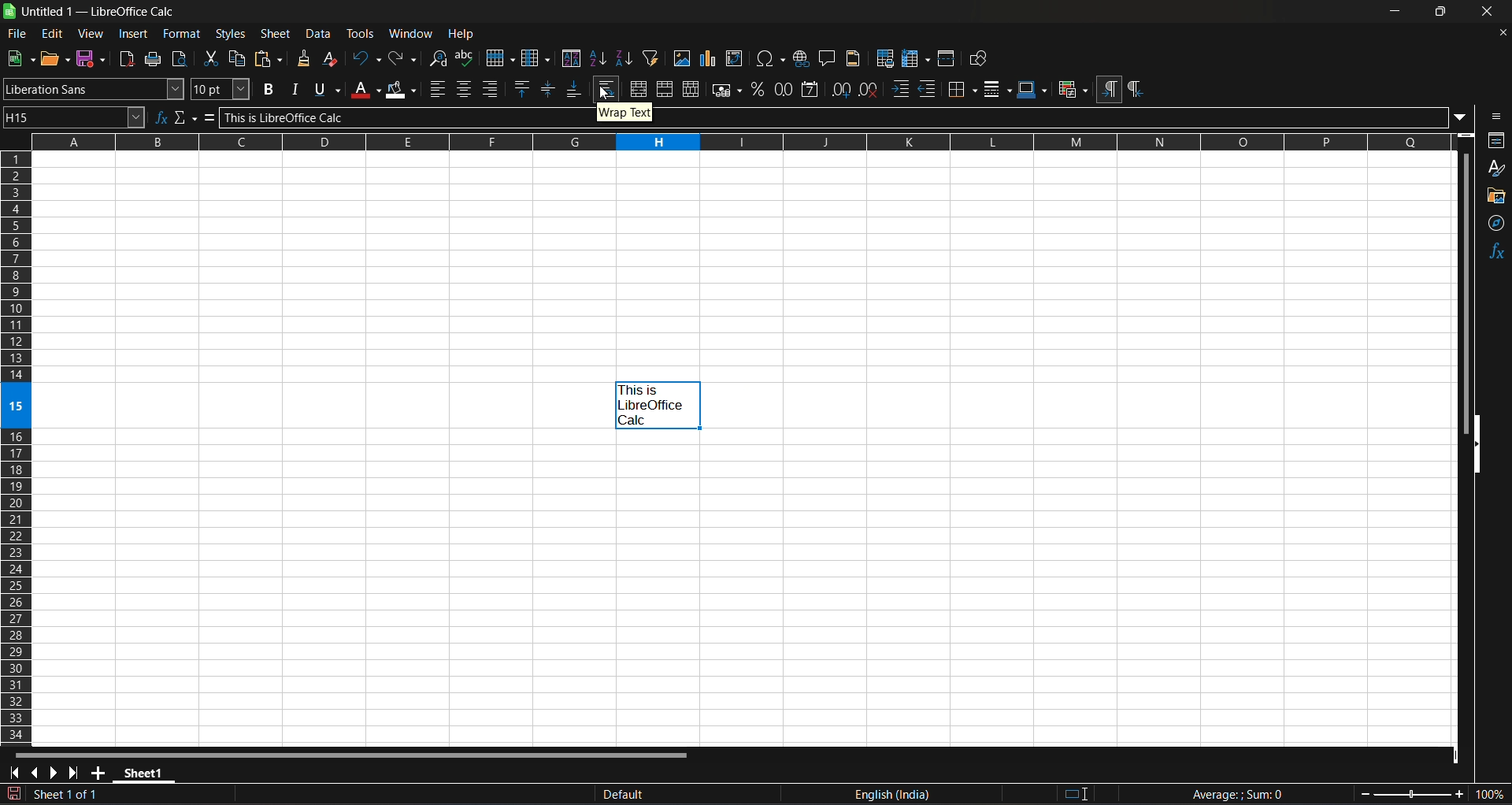  Describe the element at coordinates (901, 89) in the screenshot. I see `increase indent` at that location.